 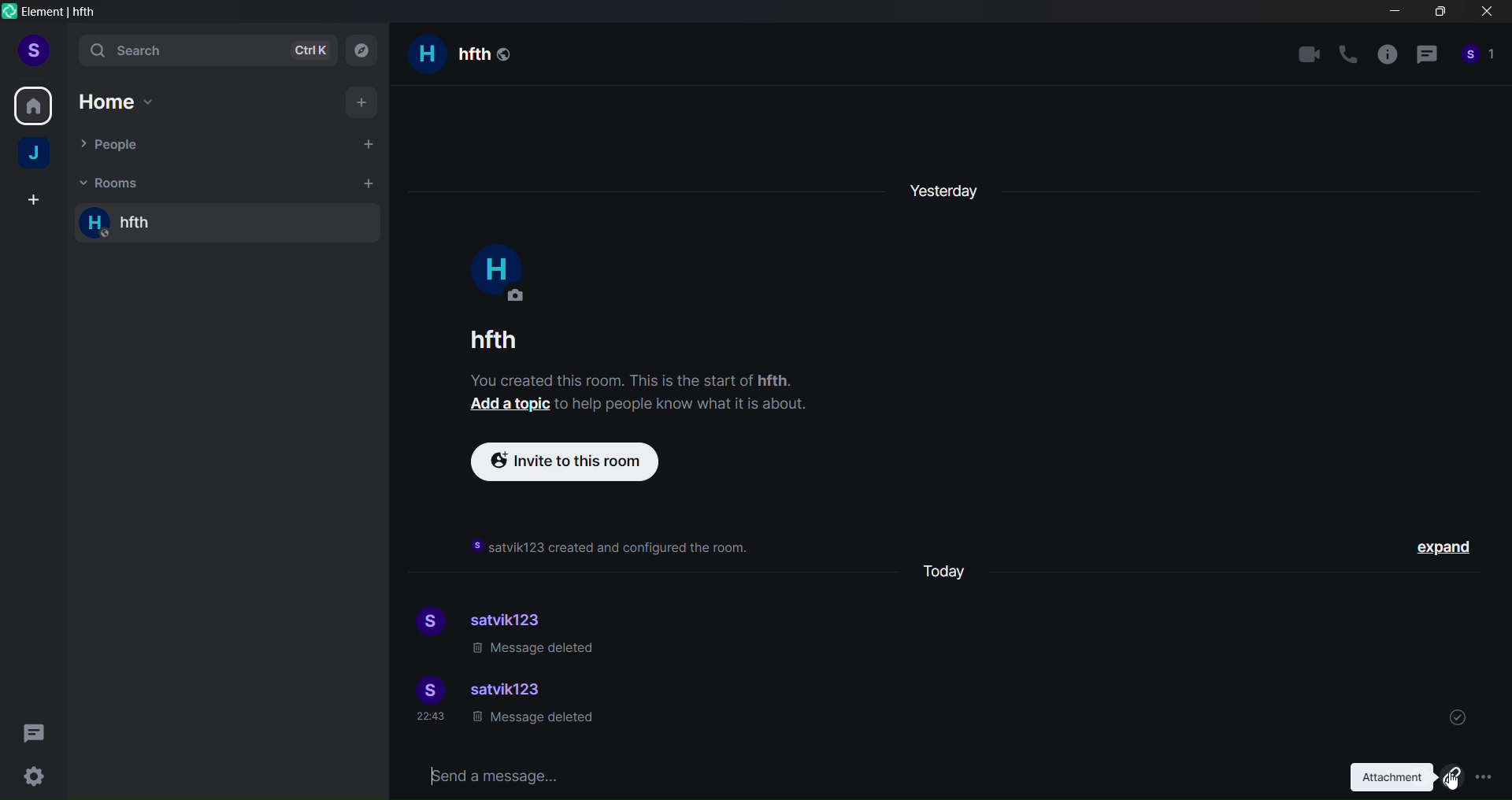 I want to click on send a message, so click(x=862, y=774).